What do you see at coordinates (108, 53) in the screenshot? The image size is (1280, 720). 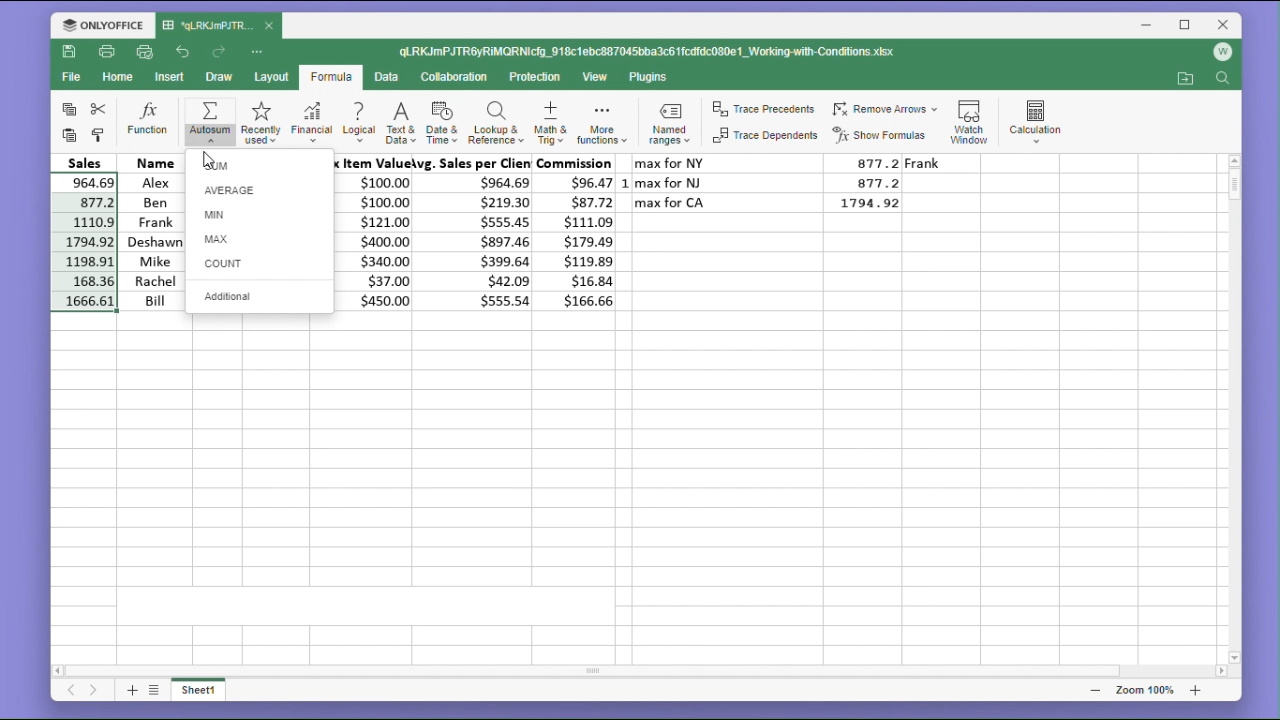 I see `print file` at bounding box center [108, 53].